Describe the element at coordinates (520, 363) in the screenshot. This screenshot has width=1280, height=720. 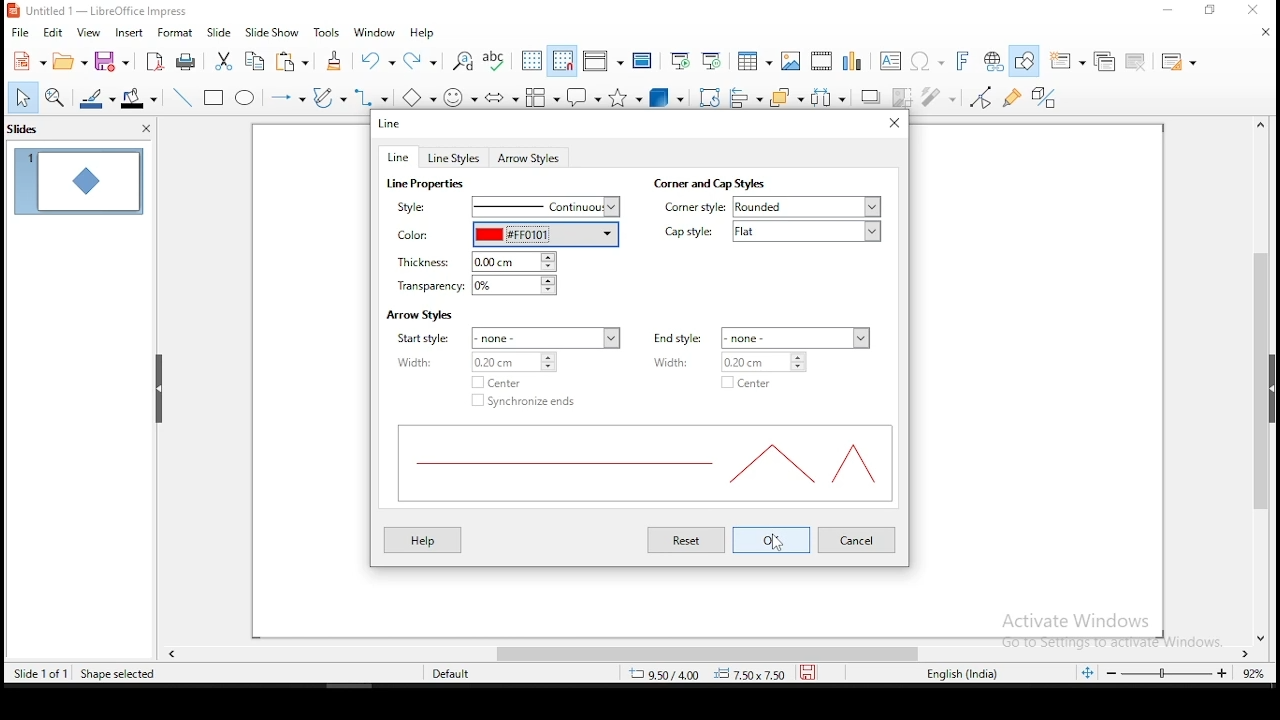
I see `0.20 cm` at that location.